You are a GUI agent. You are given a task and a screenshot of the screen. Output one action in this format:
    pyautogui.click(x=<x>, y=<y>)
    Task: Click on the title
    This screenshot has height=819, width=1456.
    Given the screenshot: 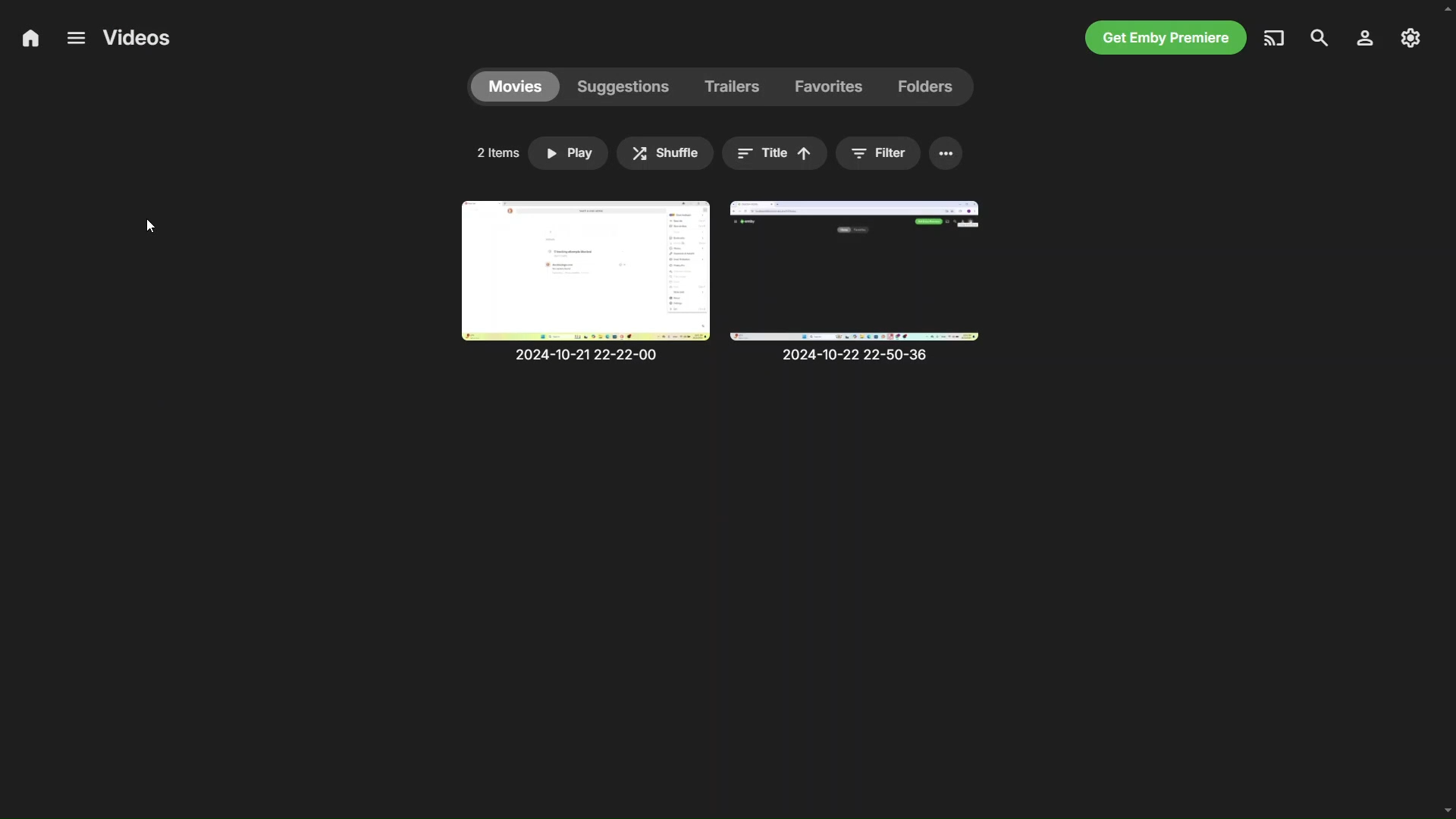 What is the action you would take?
    pyautogui.click(x=772, y=151)
    